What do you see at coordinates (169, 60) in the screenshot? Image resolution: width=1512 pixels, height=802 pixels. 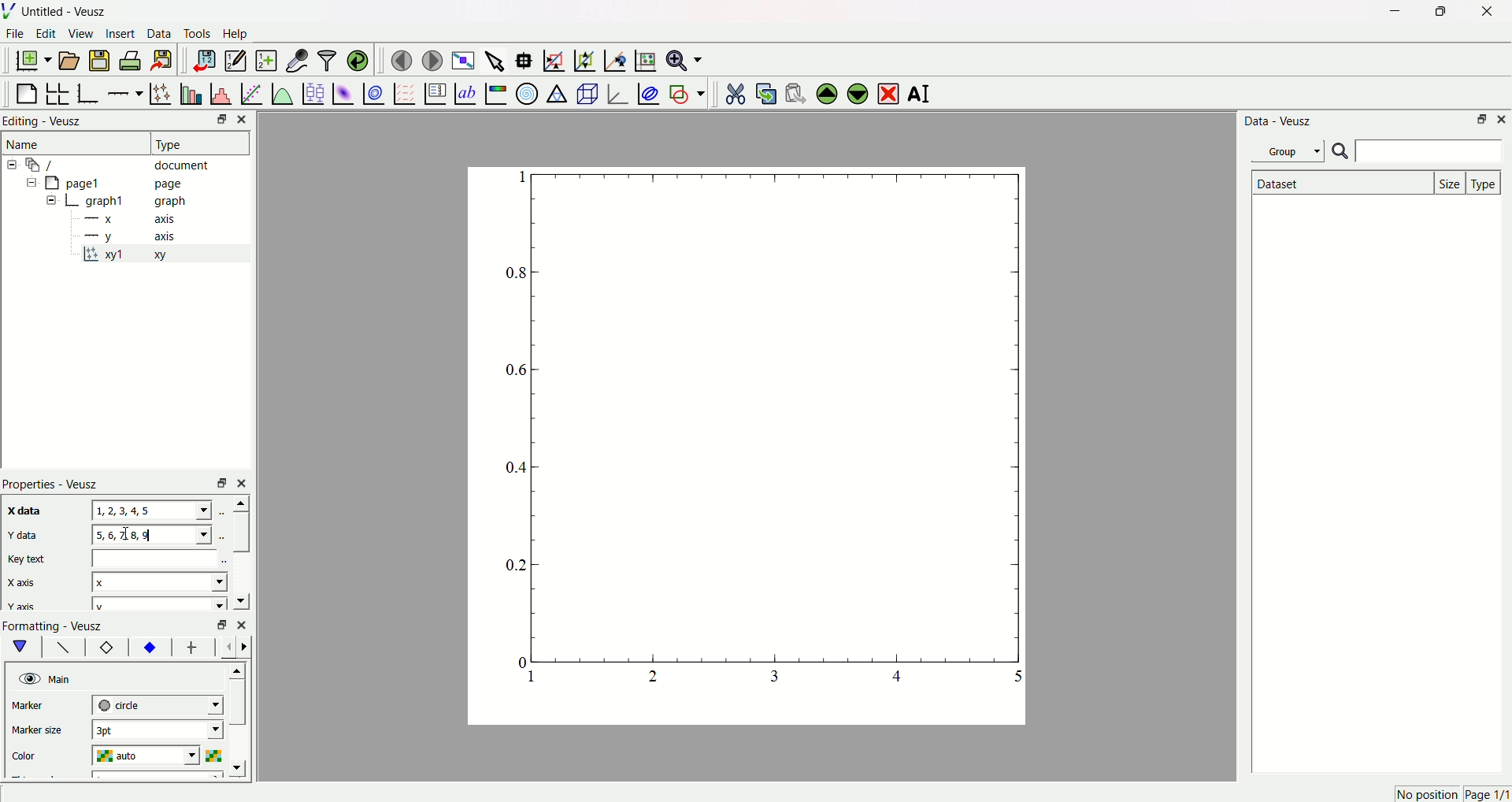 I see `export document` at bounding box center [169, 60].